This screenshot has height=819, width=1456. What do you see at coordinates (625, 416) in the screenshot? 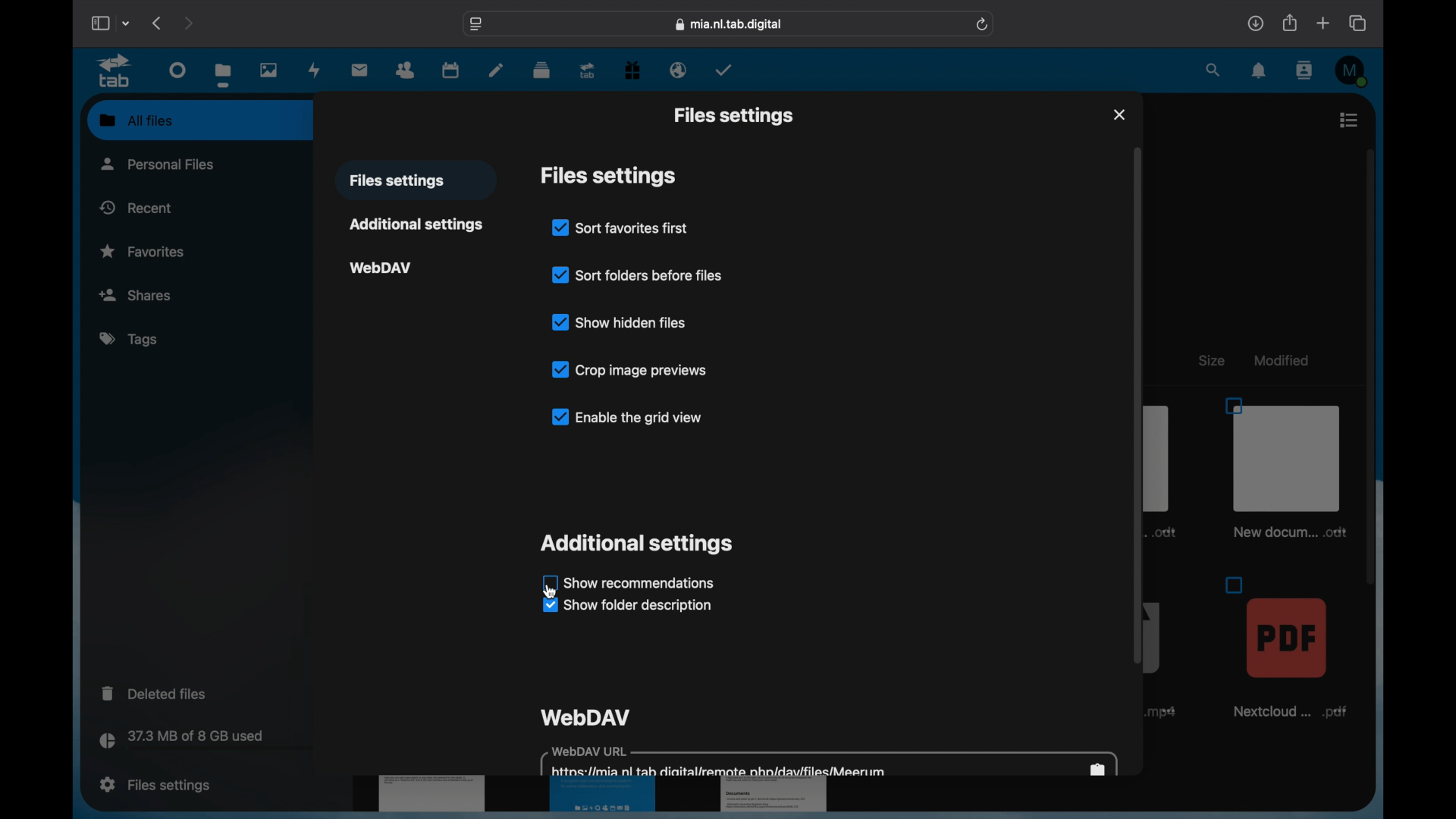
I see `enable the grid view` at bounding box center [625, 416].